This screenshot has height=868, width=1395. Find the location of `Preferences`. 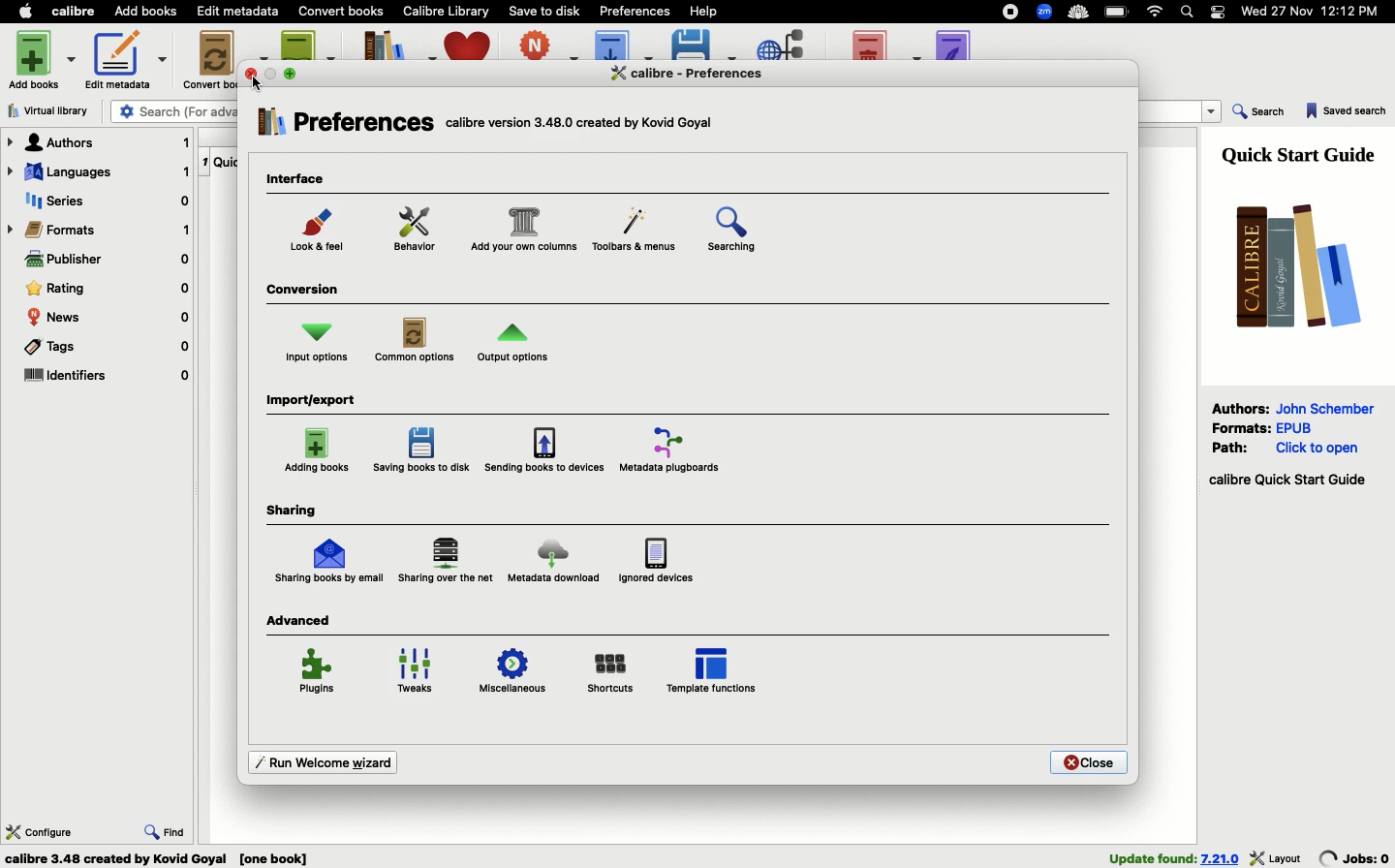

Preferences is located at coordinates (344, 126).